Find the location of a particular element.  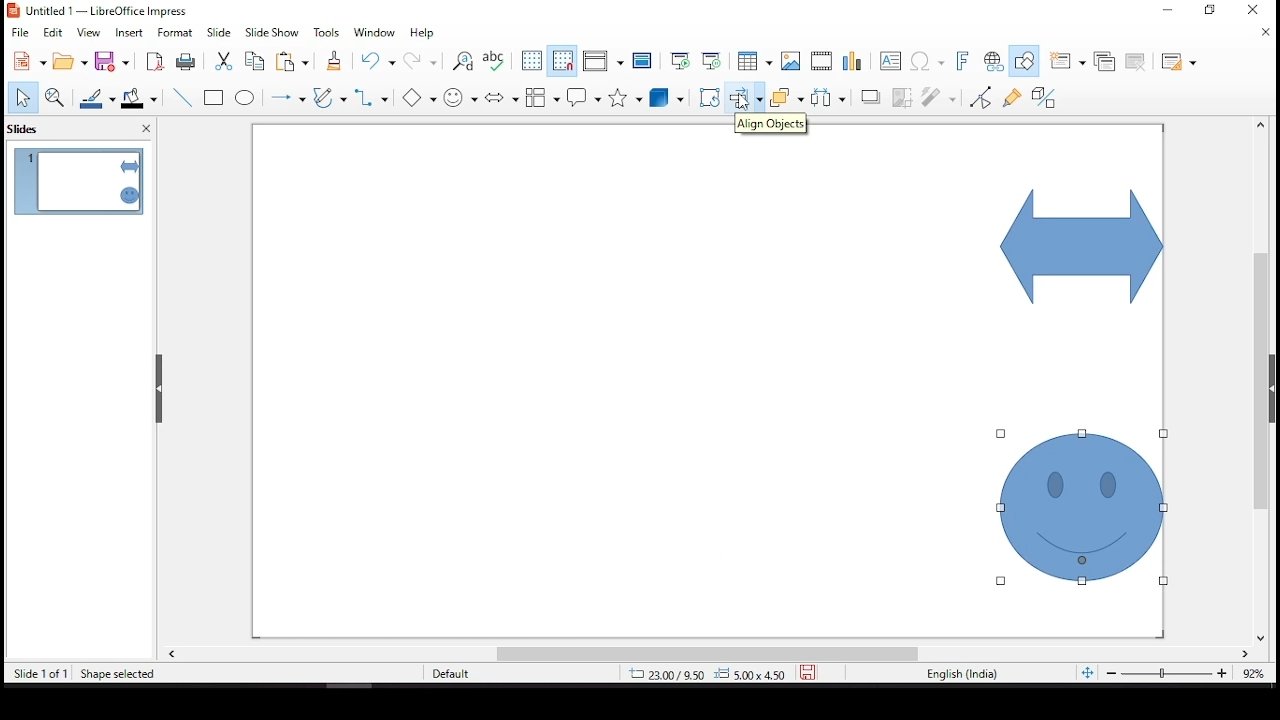

table is located at coordinates (755, 62).